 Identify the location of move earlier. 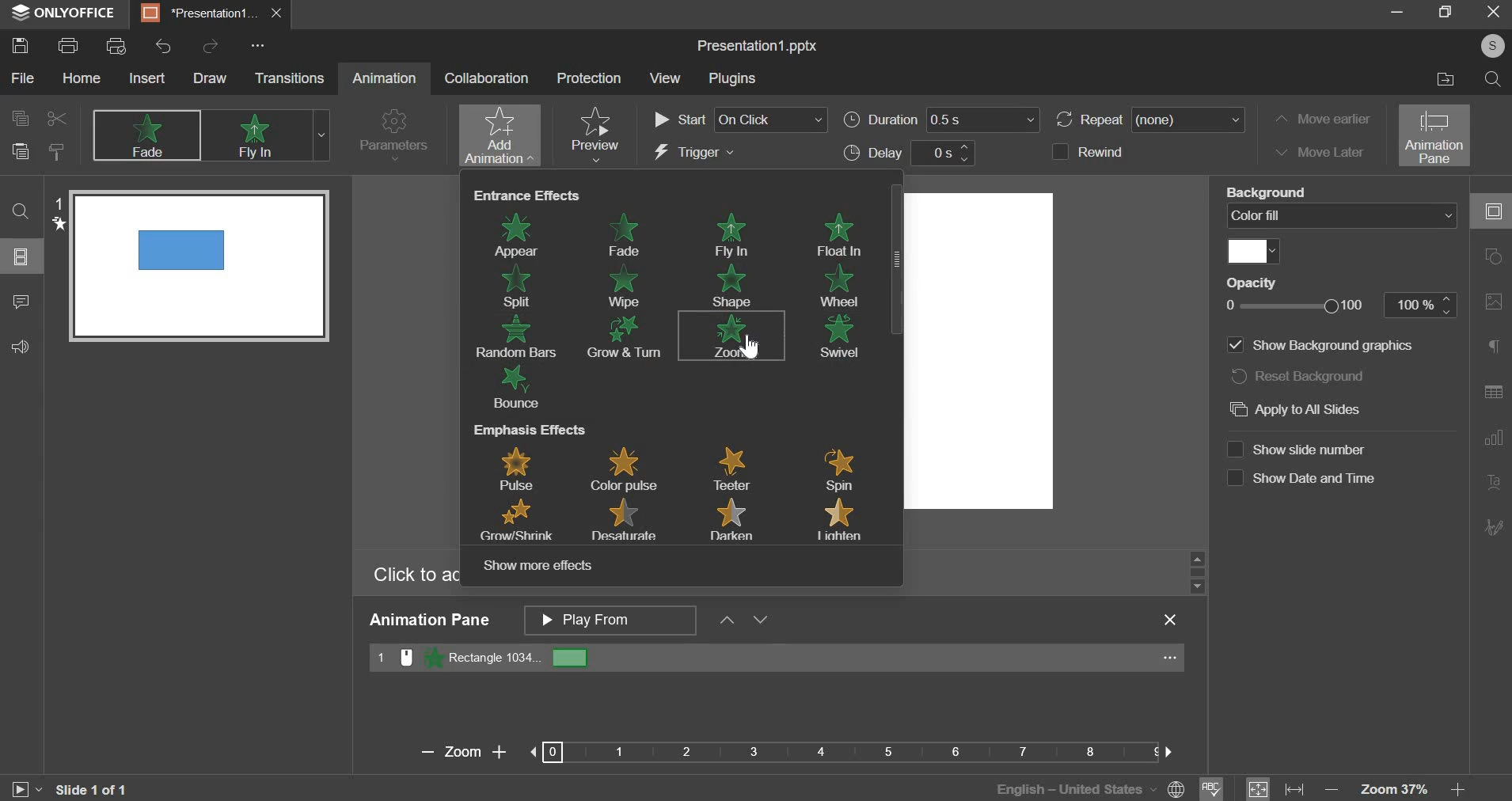
(1323, 119).